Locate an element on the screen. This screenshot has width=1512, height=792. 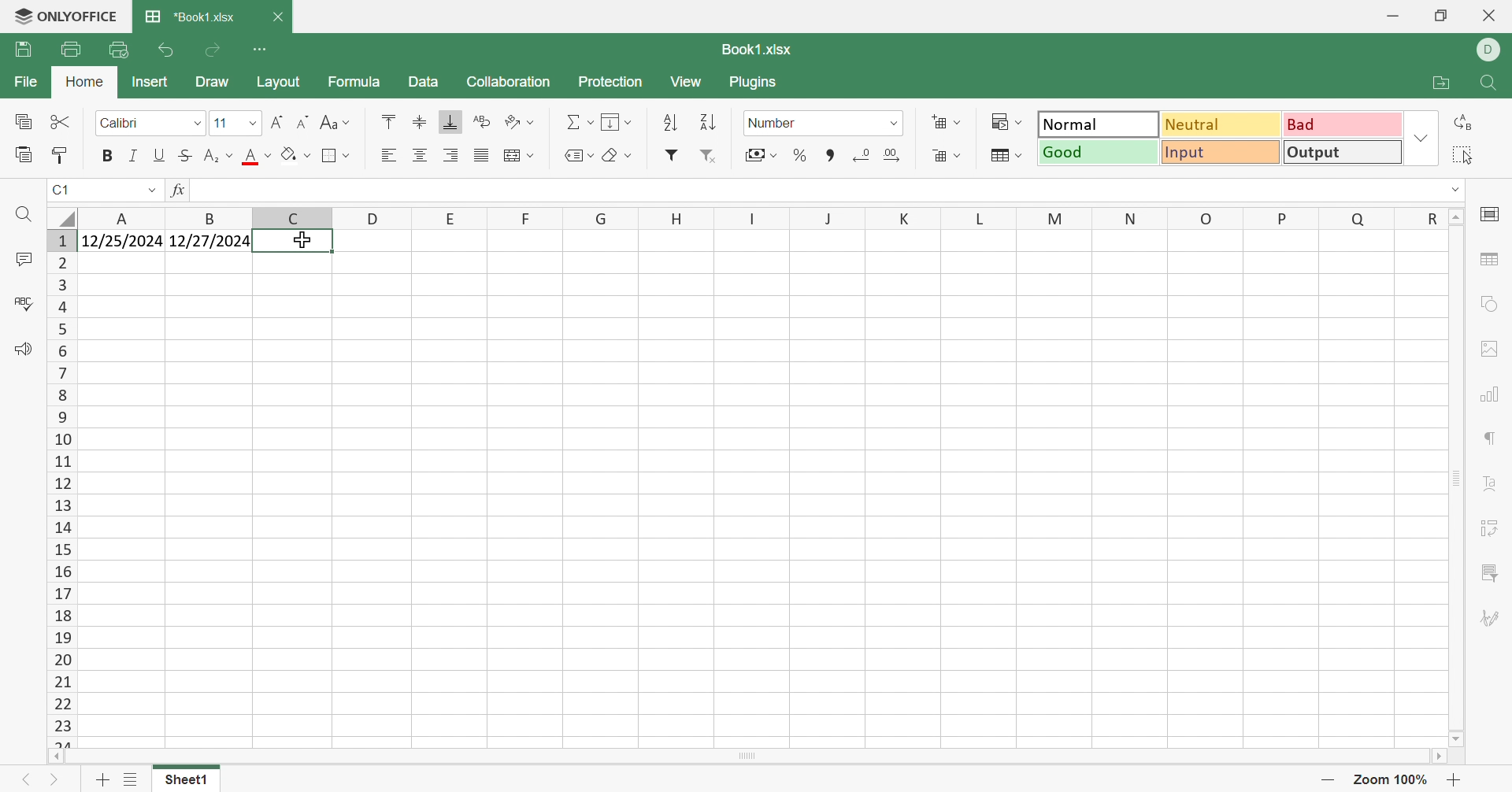
Descending order is located at coordinates (706, 122).